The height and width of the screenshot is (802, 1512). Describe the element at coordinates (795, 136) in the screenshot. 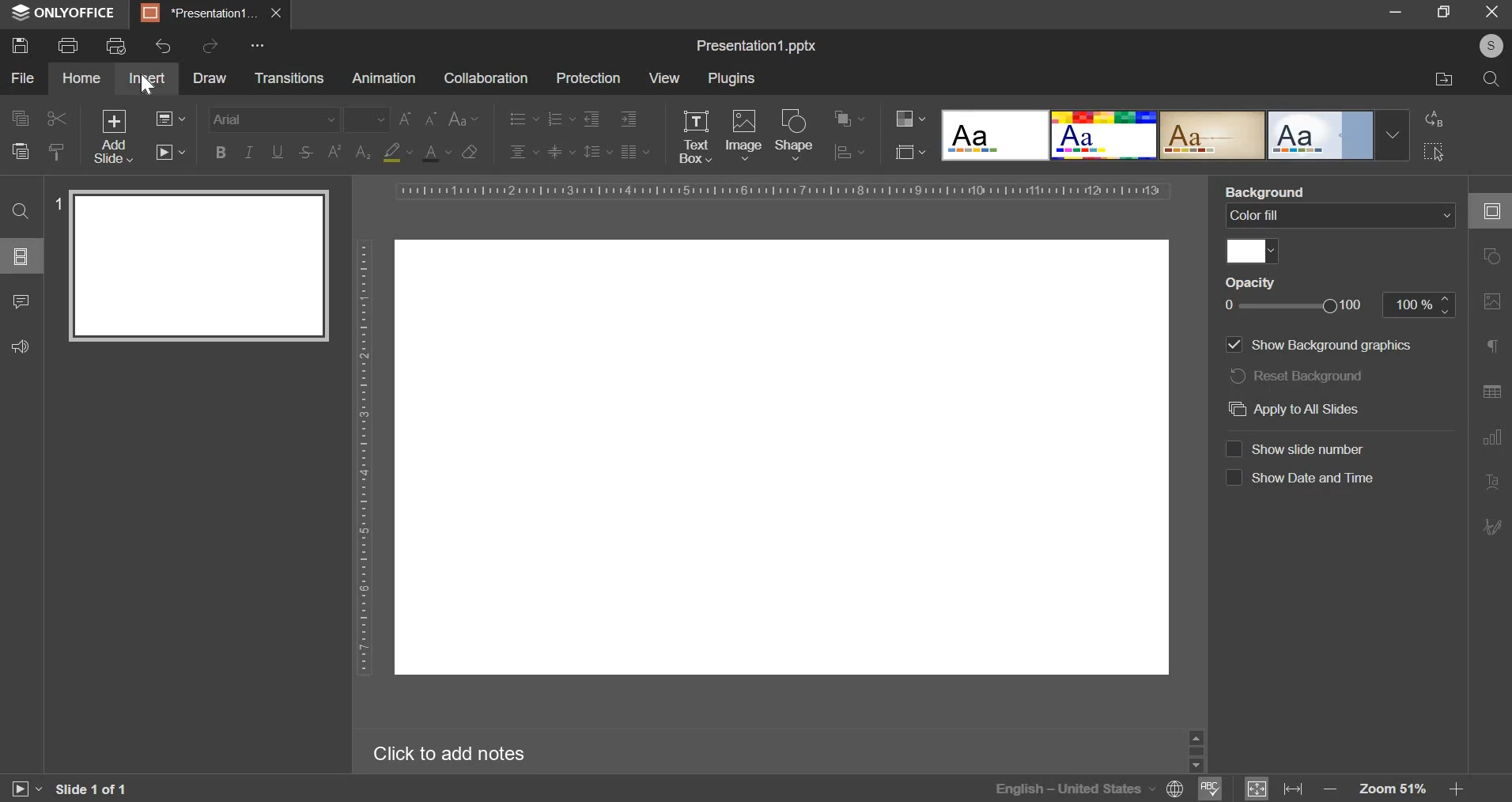

I see `shape` at that location.